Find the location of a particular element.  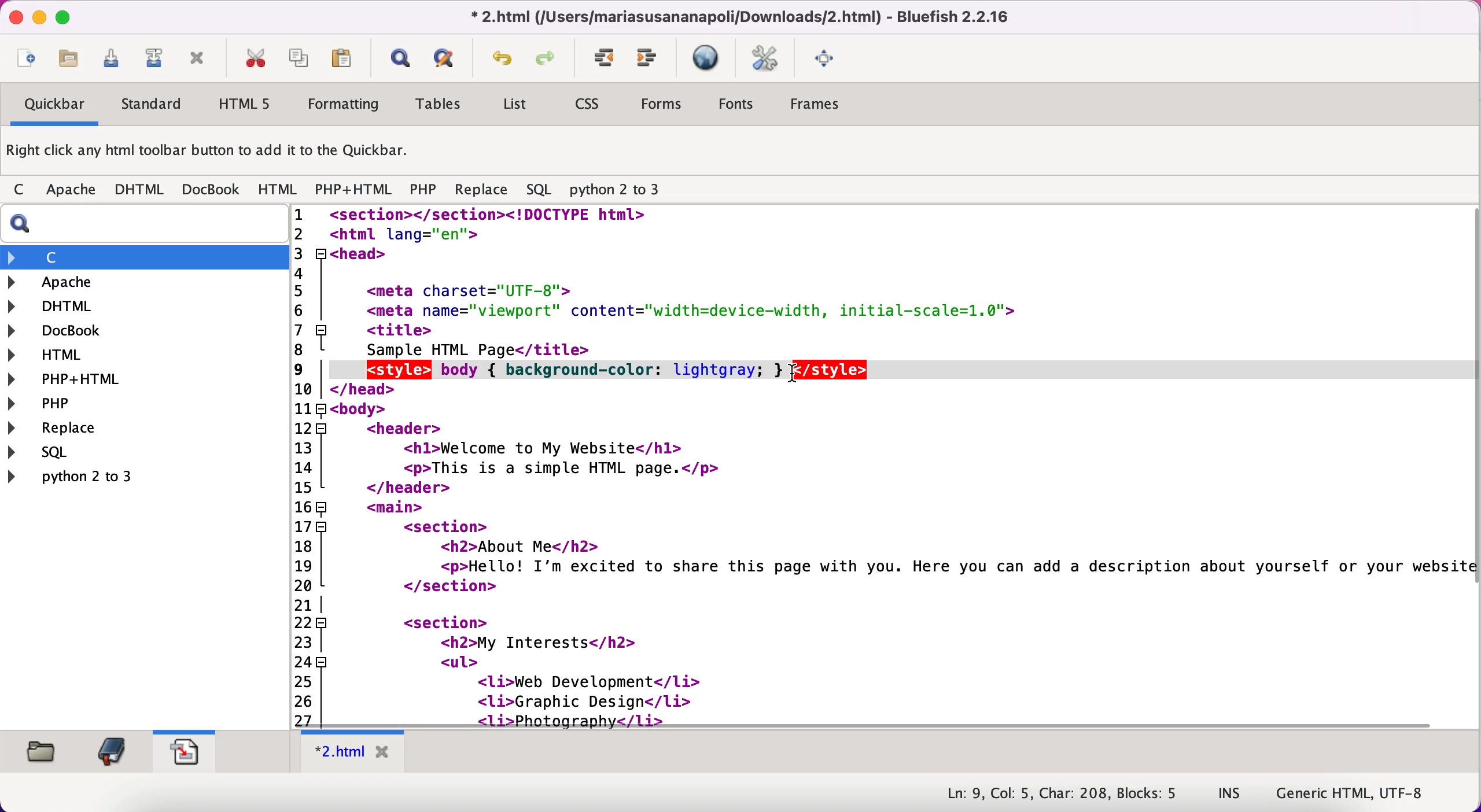

list is located at coordinates (514, 106).